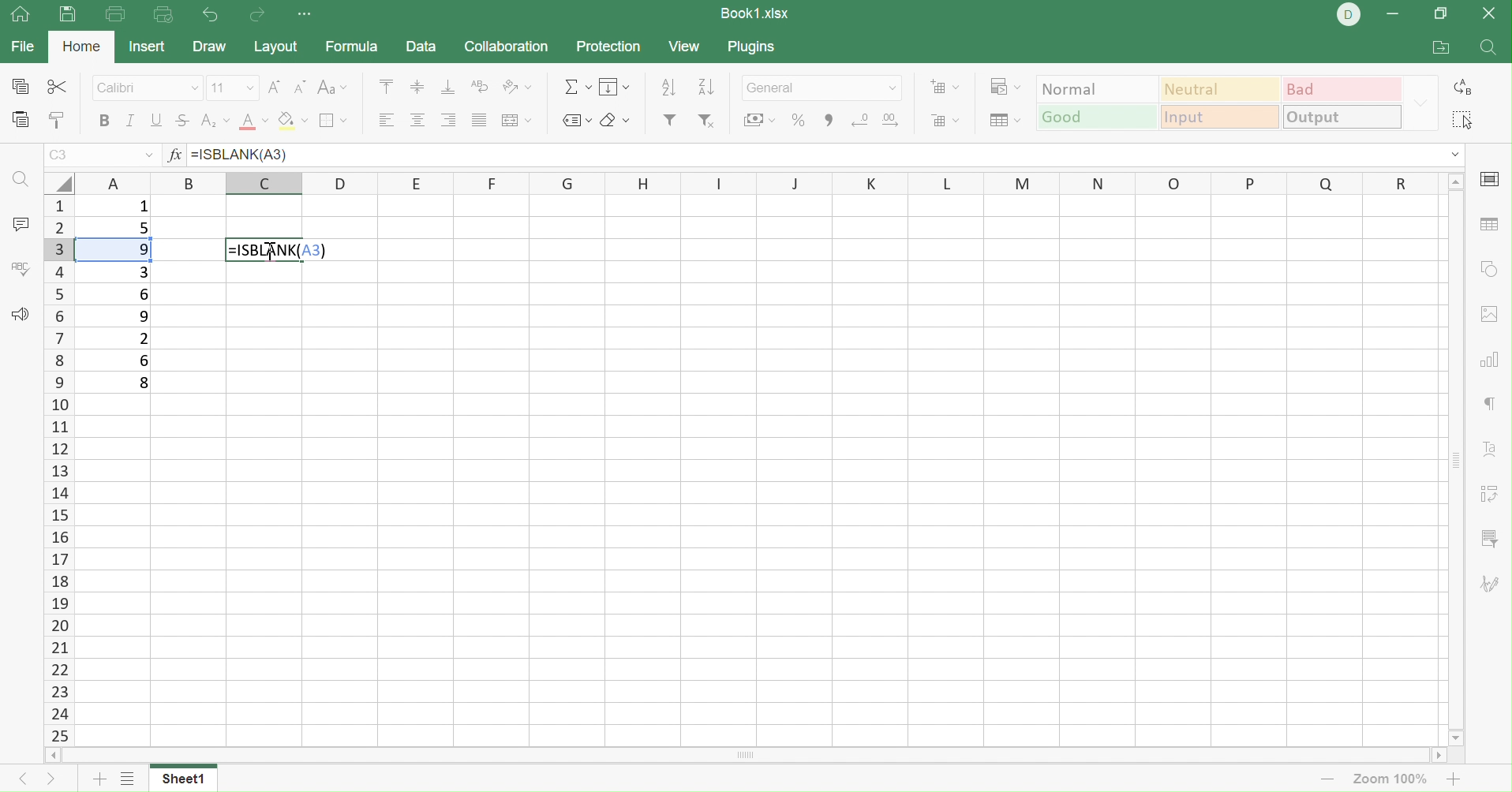  Describe the element at coordinates (149, 155) in the screenshot. I see `Drop down` at that location.